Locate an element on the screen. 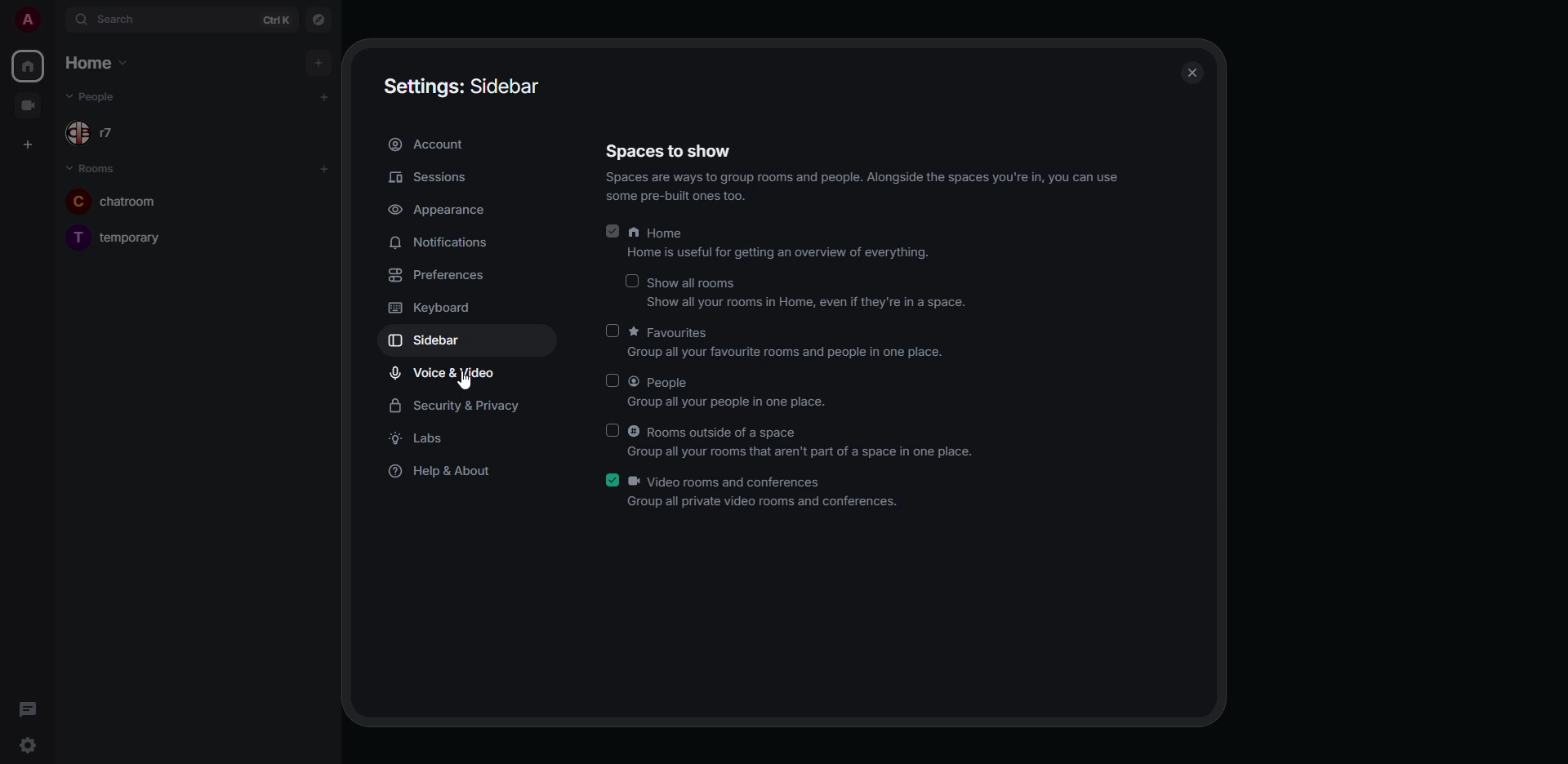 Image resolution: width=1568 pixels, height=764 pixels. add is located at coordinates (323, 168).